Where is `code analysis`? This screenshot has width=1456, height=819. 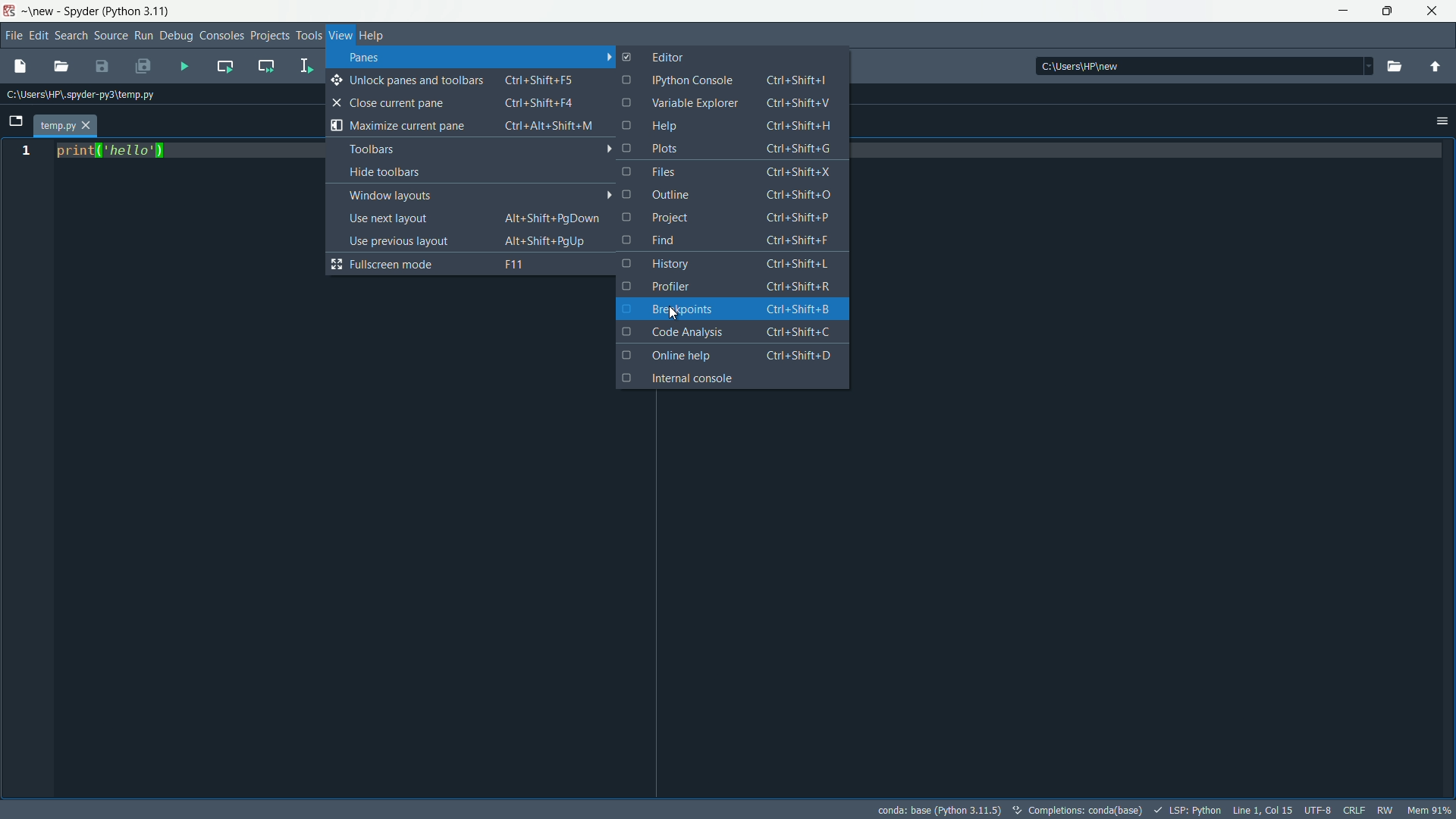
code analysis is located at coordinates (730, 332).